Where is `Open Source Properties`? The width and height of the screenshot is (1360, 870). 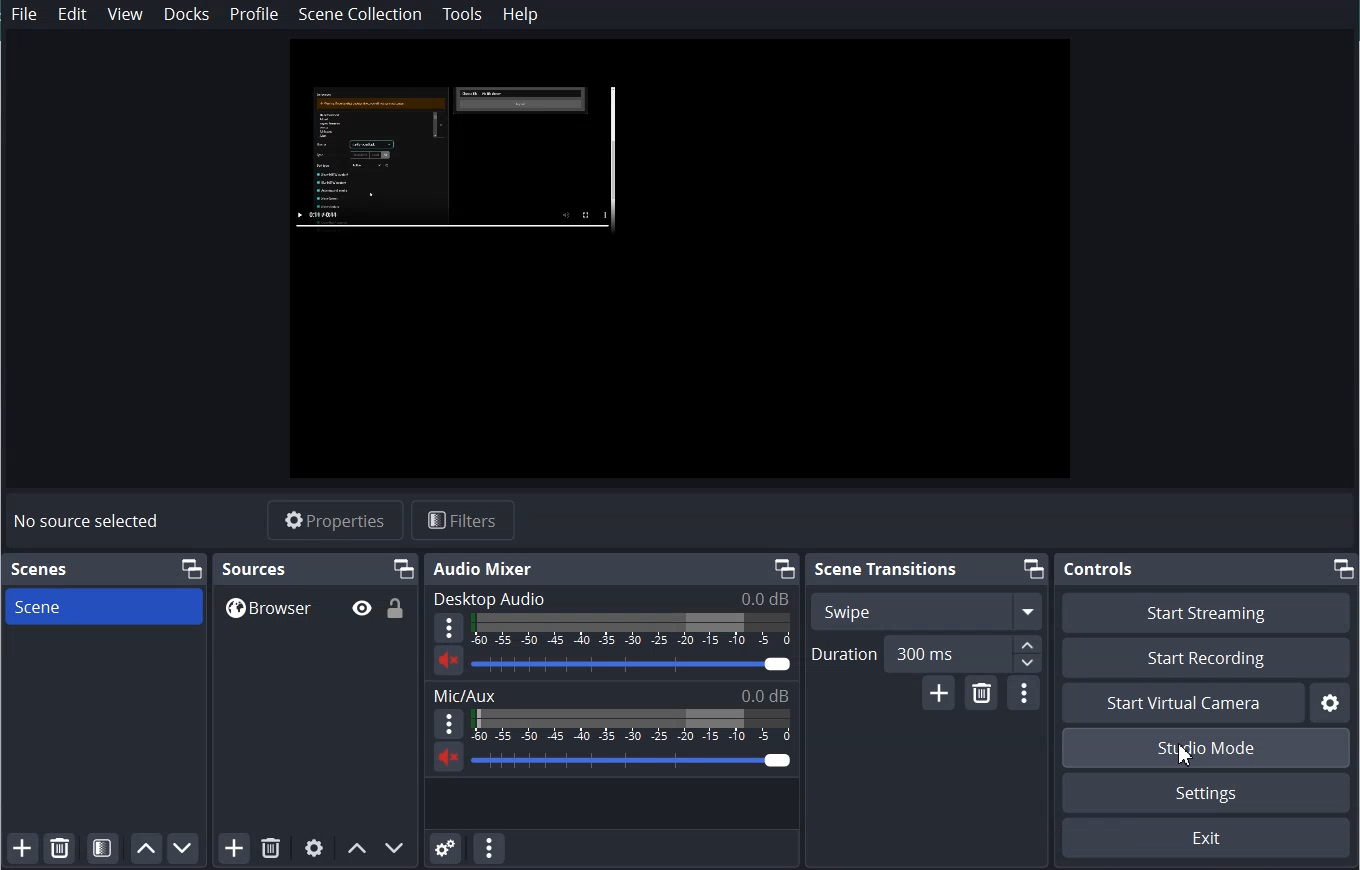 Open Source Properties is located at coordinates (313, 848).